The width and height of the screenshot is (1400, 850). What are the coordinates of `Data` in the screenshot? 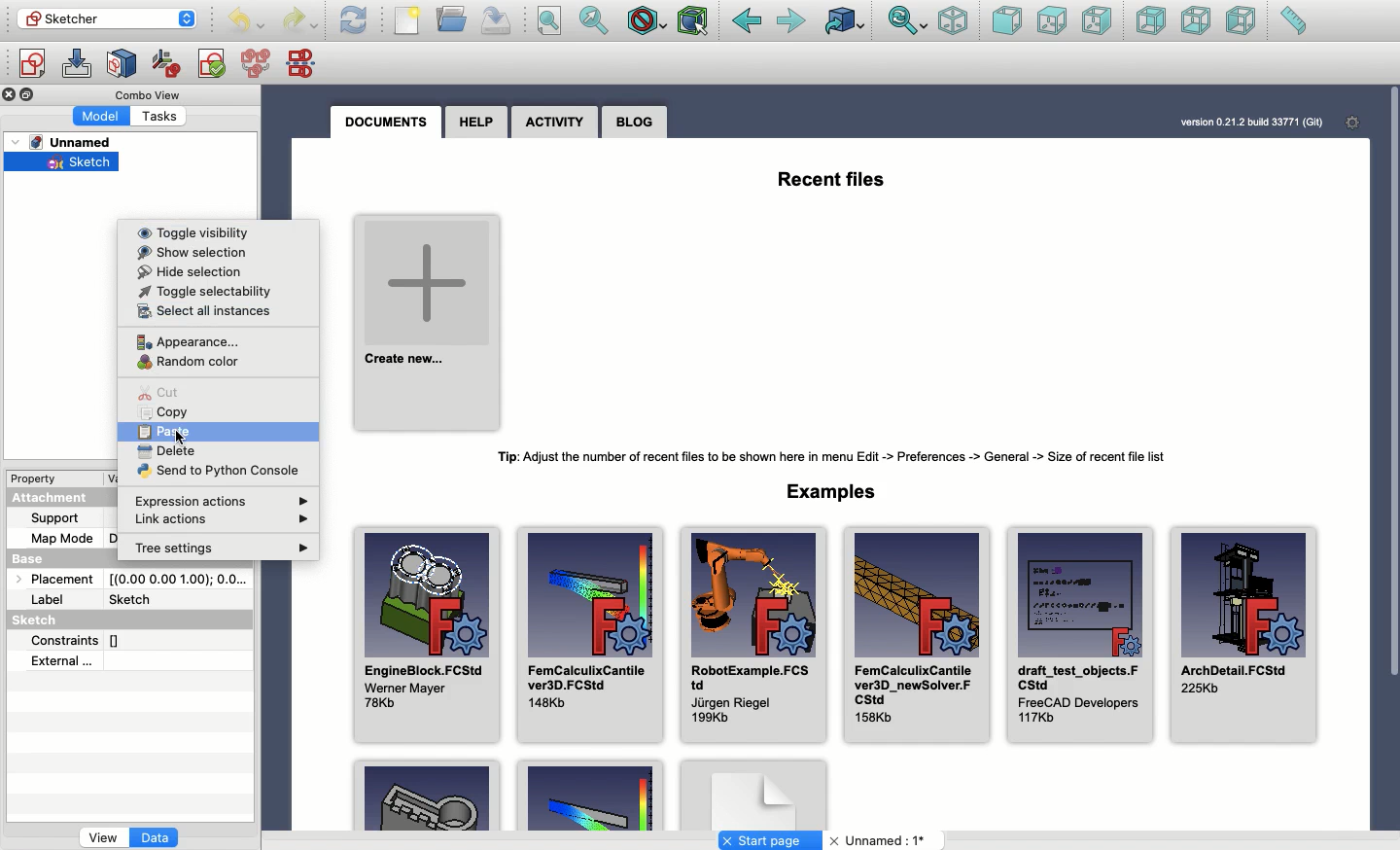 It's located at (157, 839).